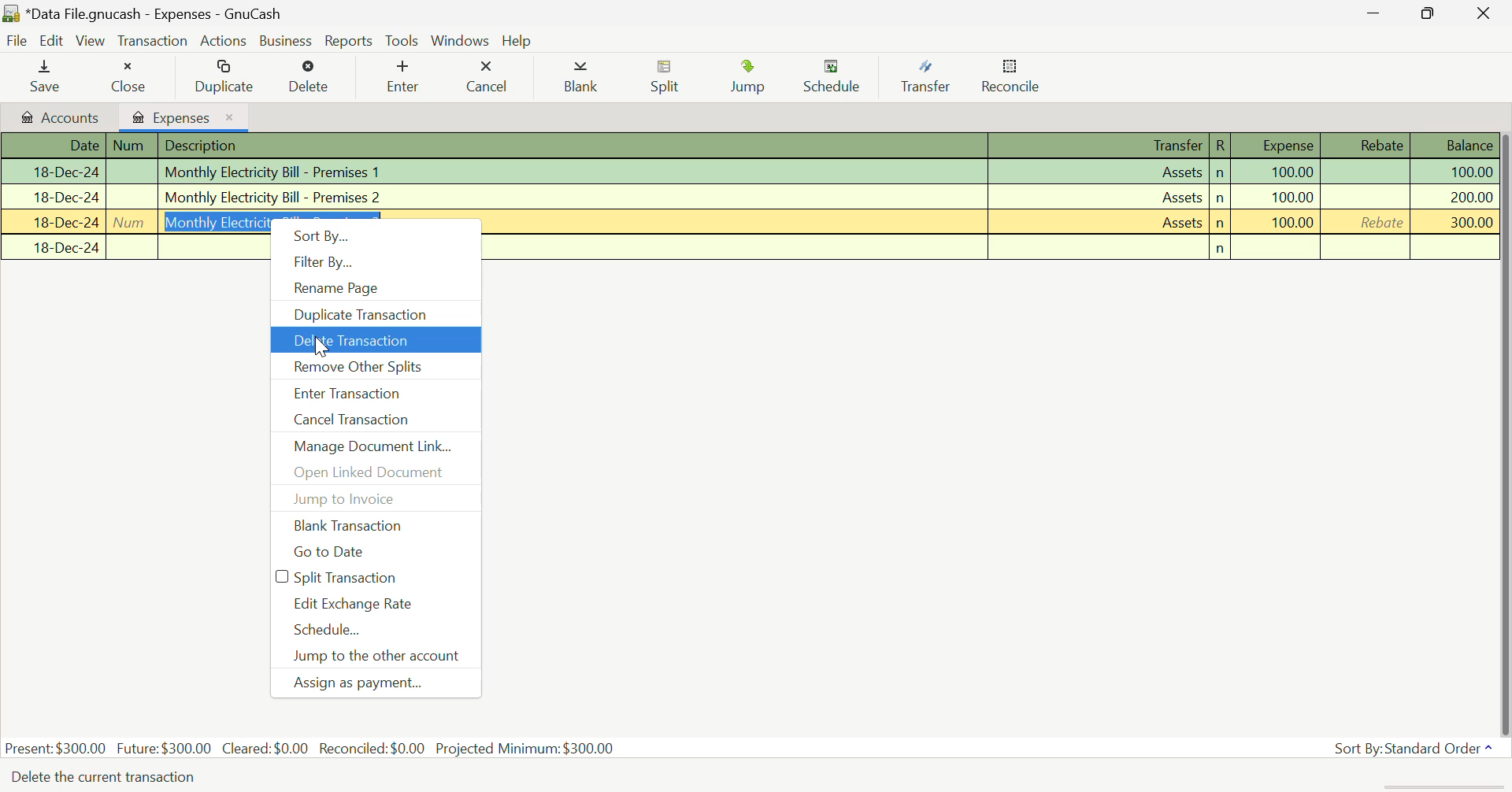 The width and height of the screenshot is (1512, 792). I want to click on Actions, so click(225, 40).